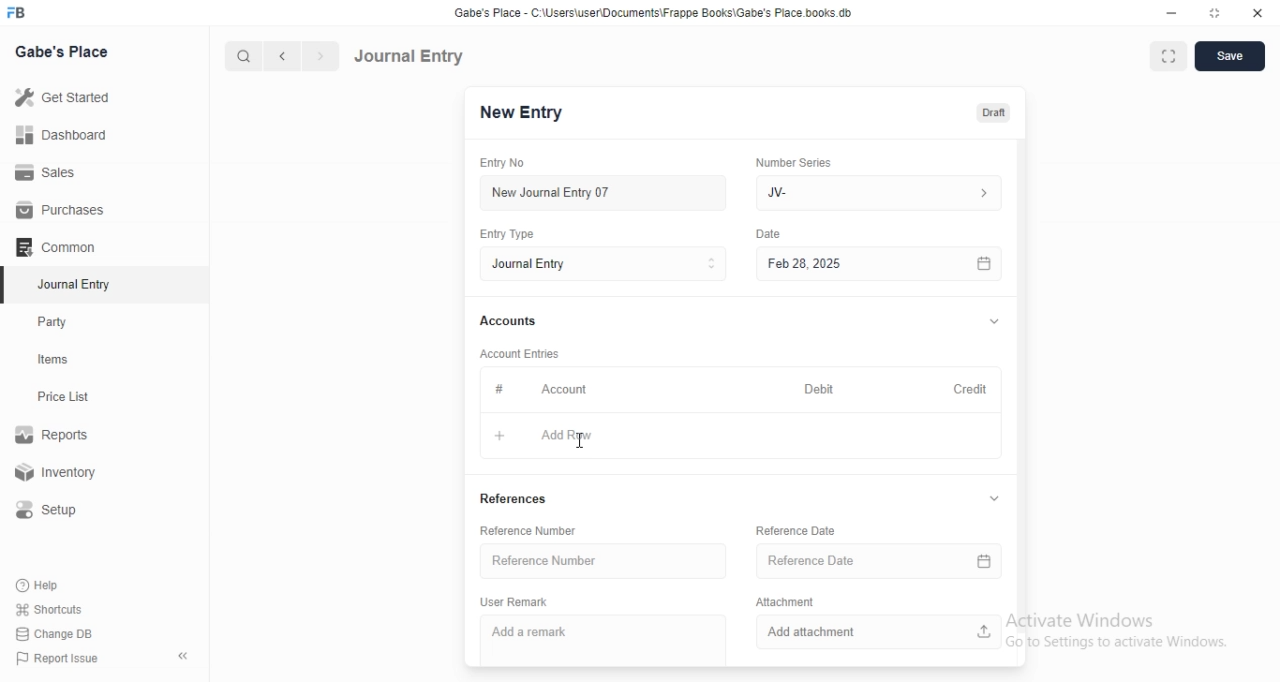 This screenshot has width=1280, height=682. What do you see at coordinates (602, 264) in the screenshot?
I see `Entry Type` at bounding box center [602, 264].